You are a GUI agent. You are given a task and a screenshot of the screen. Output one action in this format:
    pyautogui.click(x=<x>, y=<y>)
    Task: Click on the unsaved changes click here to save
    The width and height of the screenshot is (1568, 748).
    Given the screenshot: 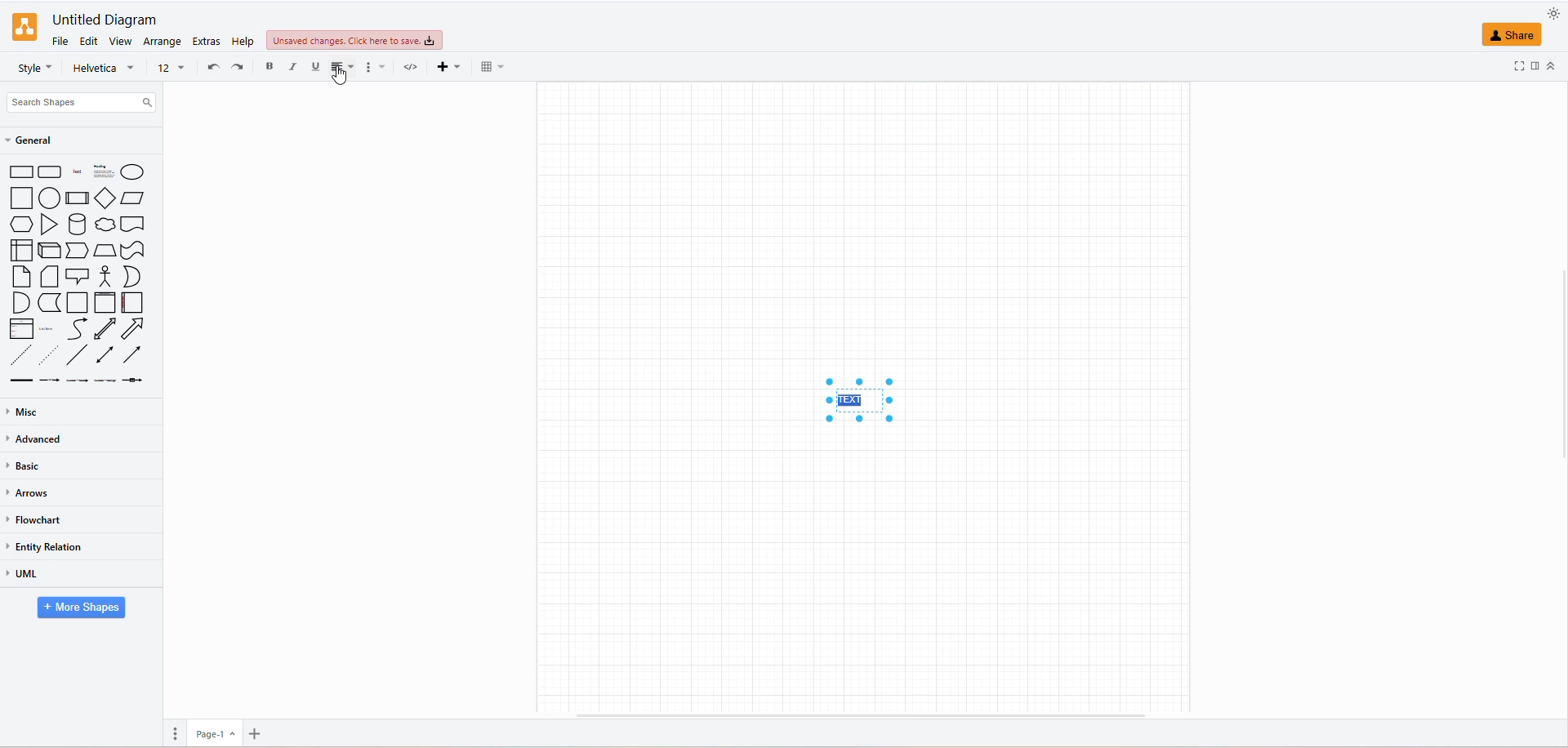 What is the action you would take?
    pyautogui.click(x=352, y=42)
    